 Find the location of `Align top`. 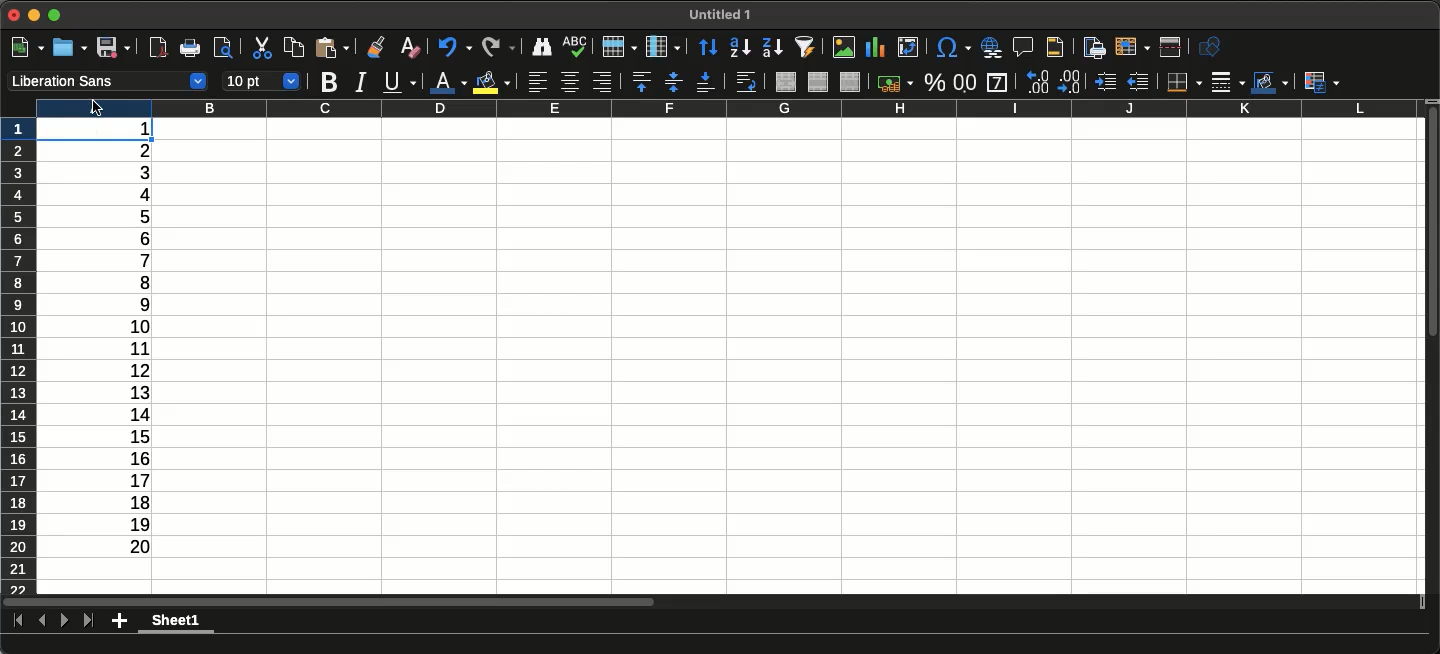

Align top is located at coordinates (639, 81).